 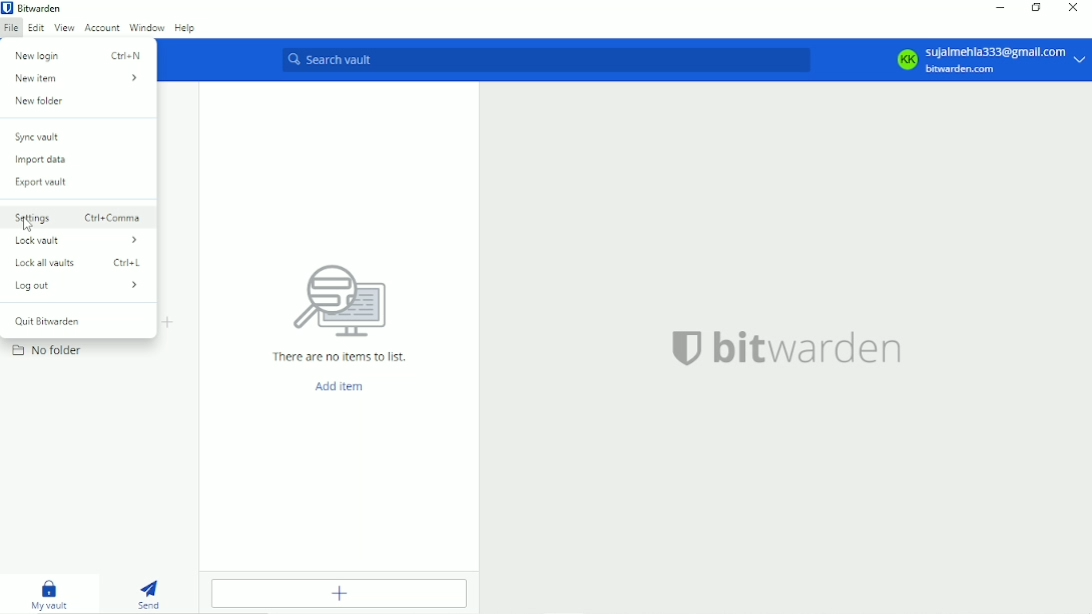 What do you see at coordinates (47, 354) in the screenshot?
I see `No folder` at bounding box center [47, 354].